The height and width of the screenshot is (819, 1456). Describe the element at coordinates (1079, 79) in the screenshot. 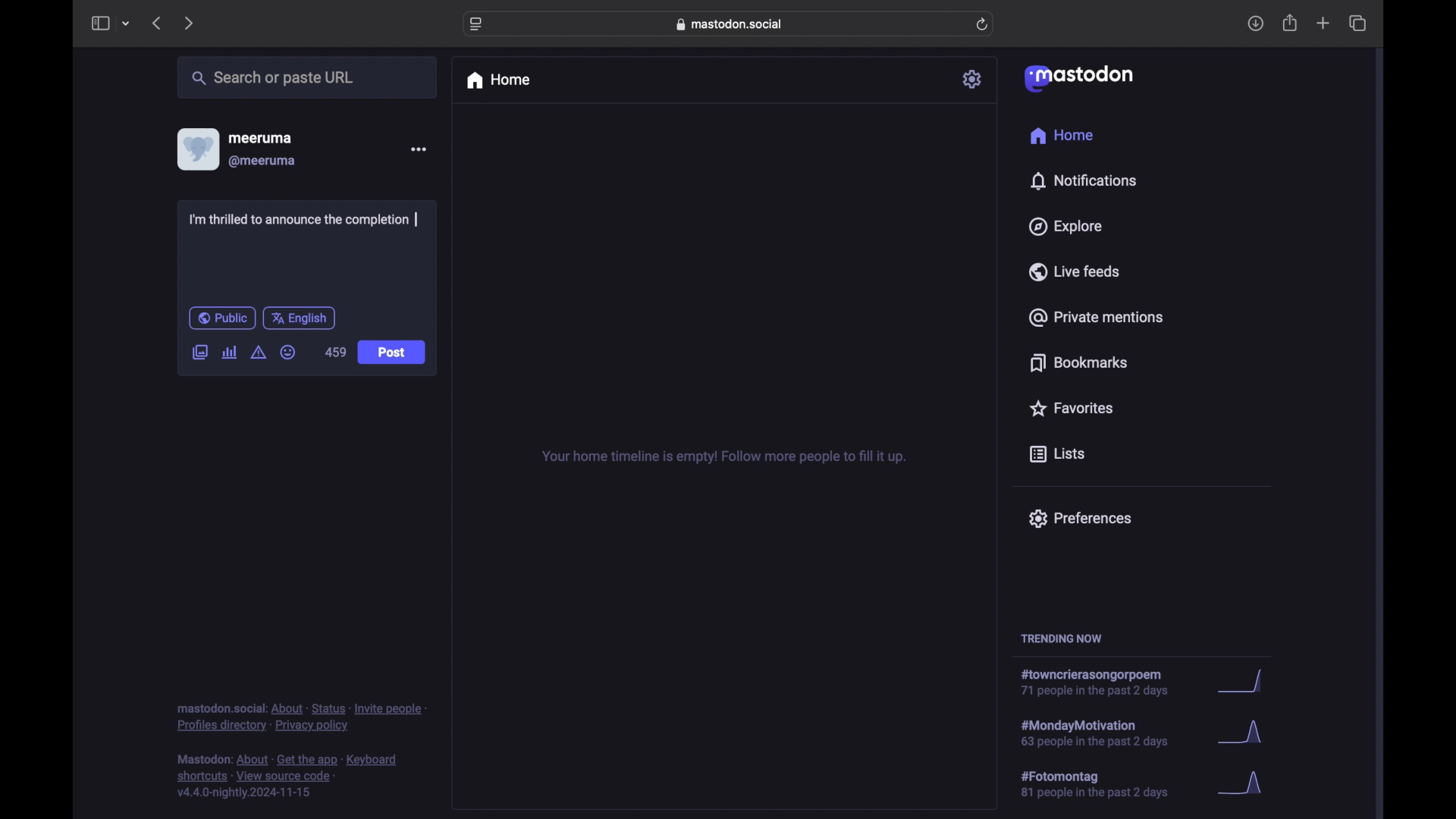

I see `mastodon` at that location.